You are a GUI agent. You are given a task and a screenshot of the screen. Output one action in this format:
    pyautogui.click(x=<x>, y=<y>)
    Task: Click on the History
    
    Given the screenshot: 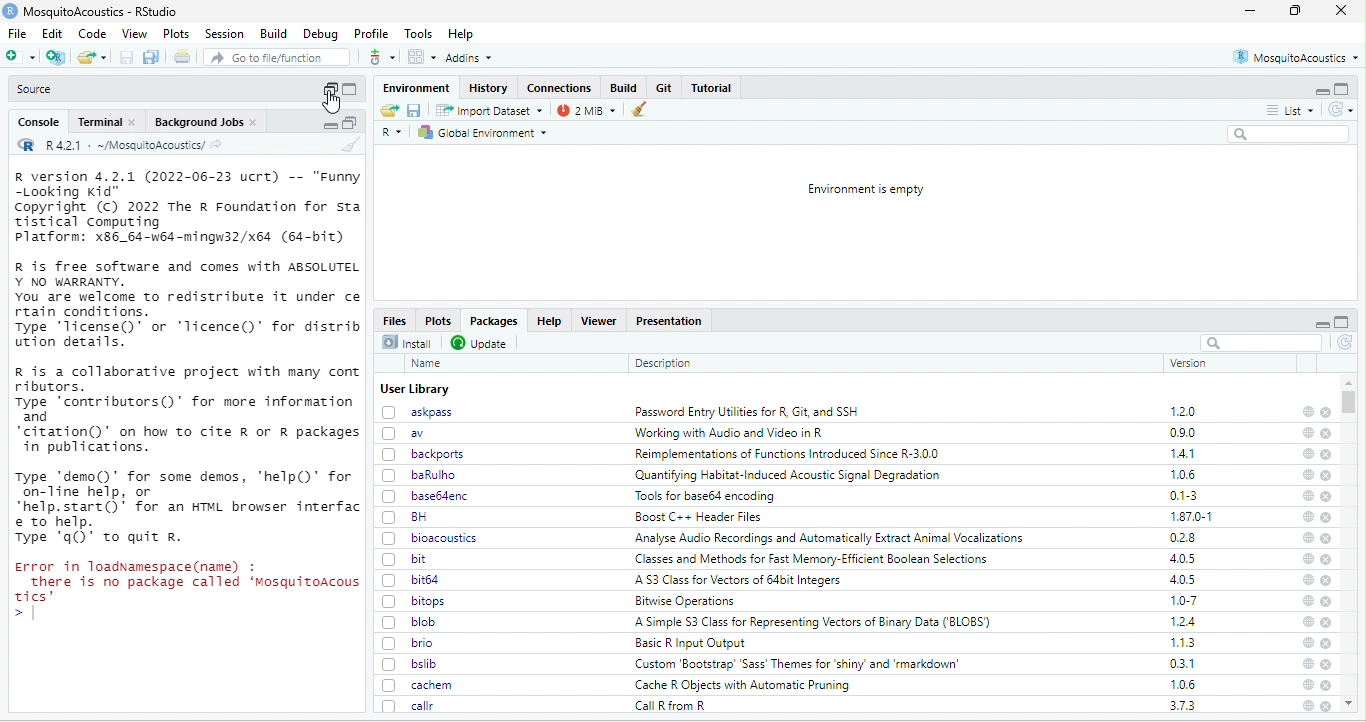 What is the action you would take?
    pyautogui.click(x=488, y=89)
    